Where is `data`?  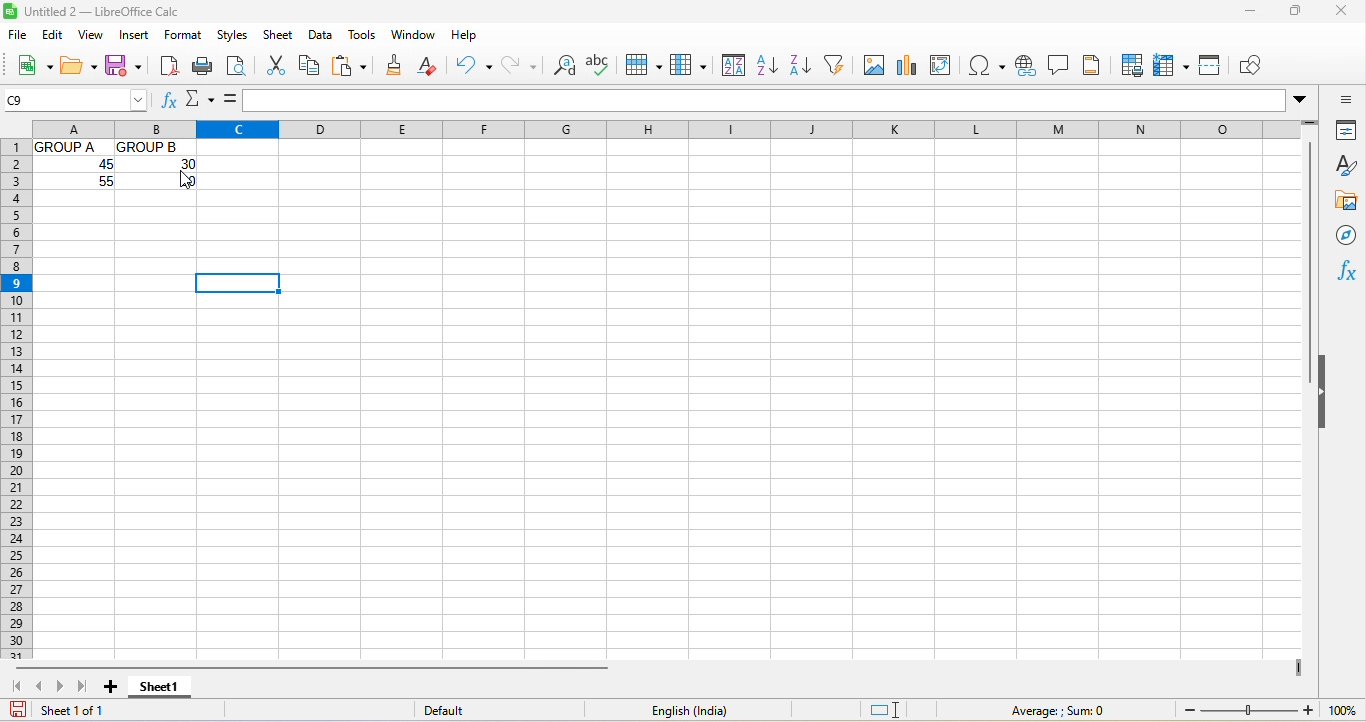
data is located at coordinates (325, 36).